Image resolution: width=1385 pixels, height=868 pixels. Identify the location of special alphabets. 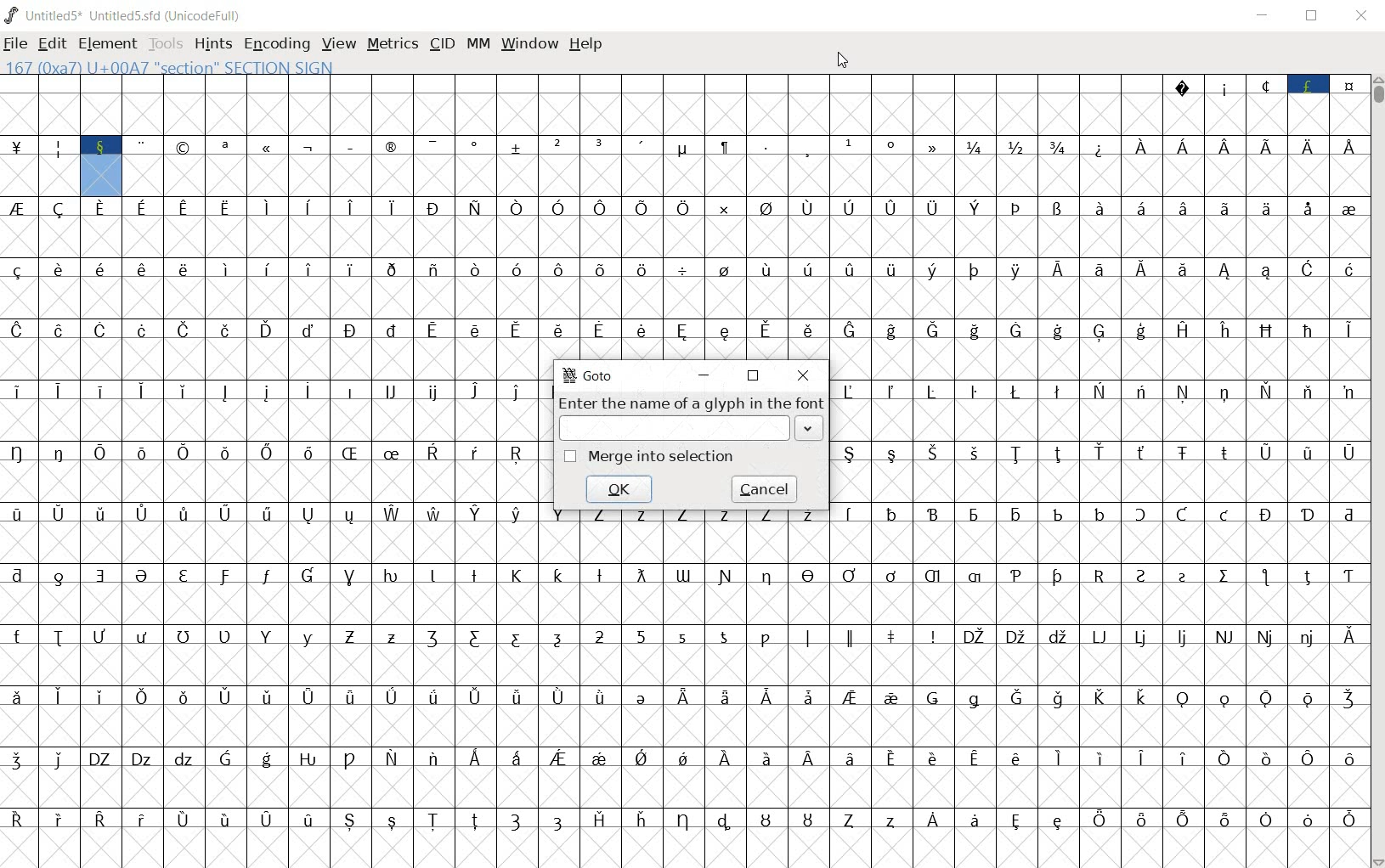
(517, 840).